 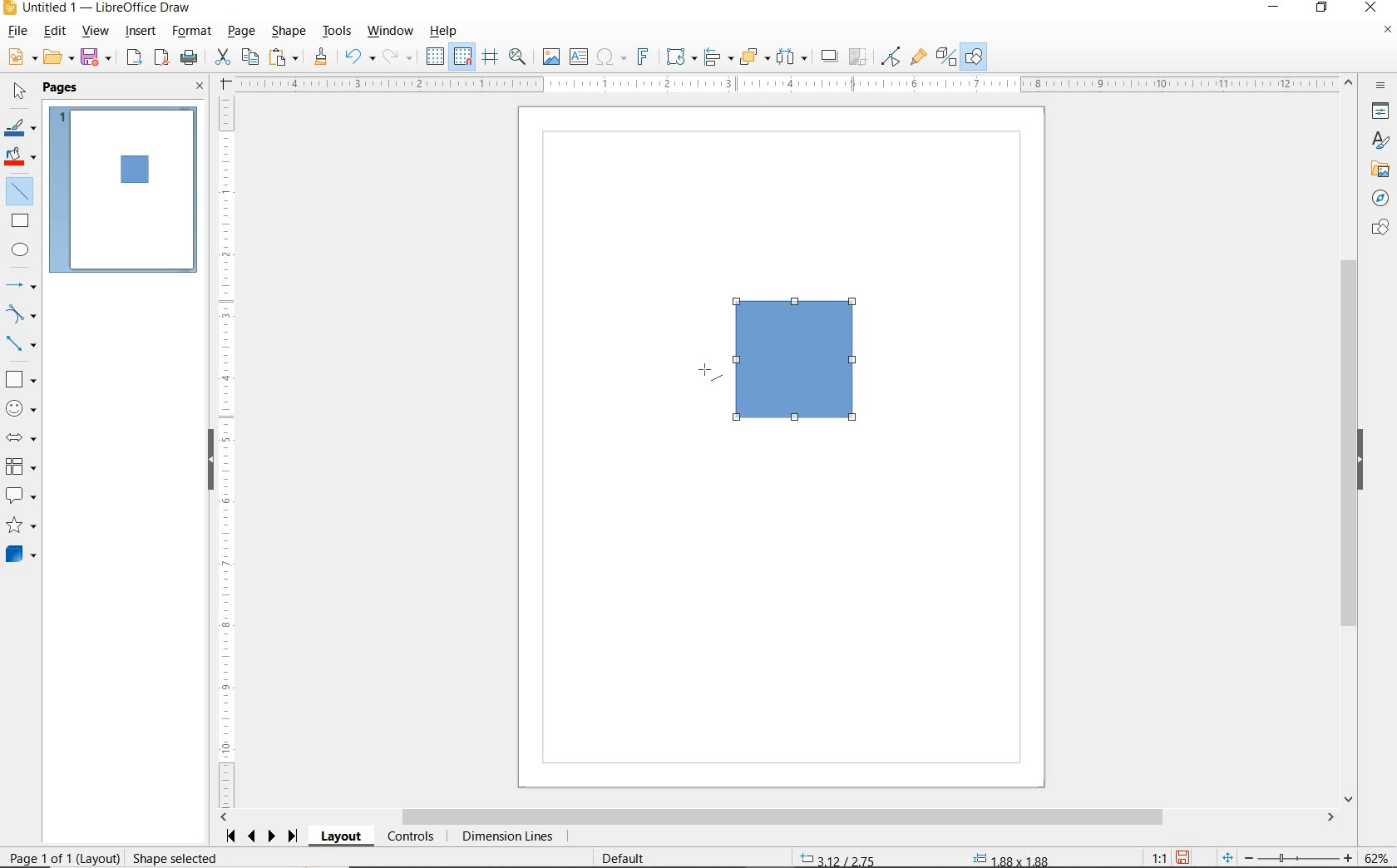 I want to click on INSERT SPECIAL CHARACTERS, so click(x=610, y=57).